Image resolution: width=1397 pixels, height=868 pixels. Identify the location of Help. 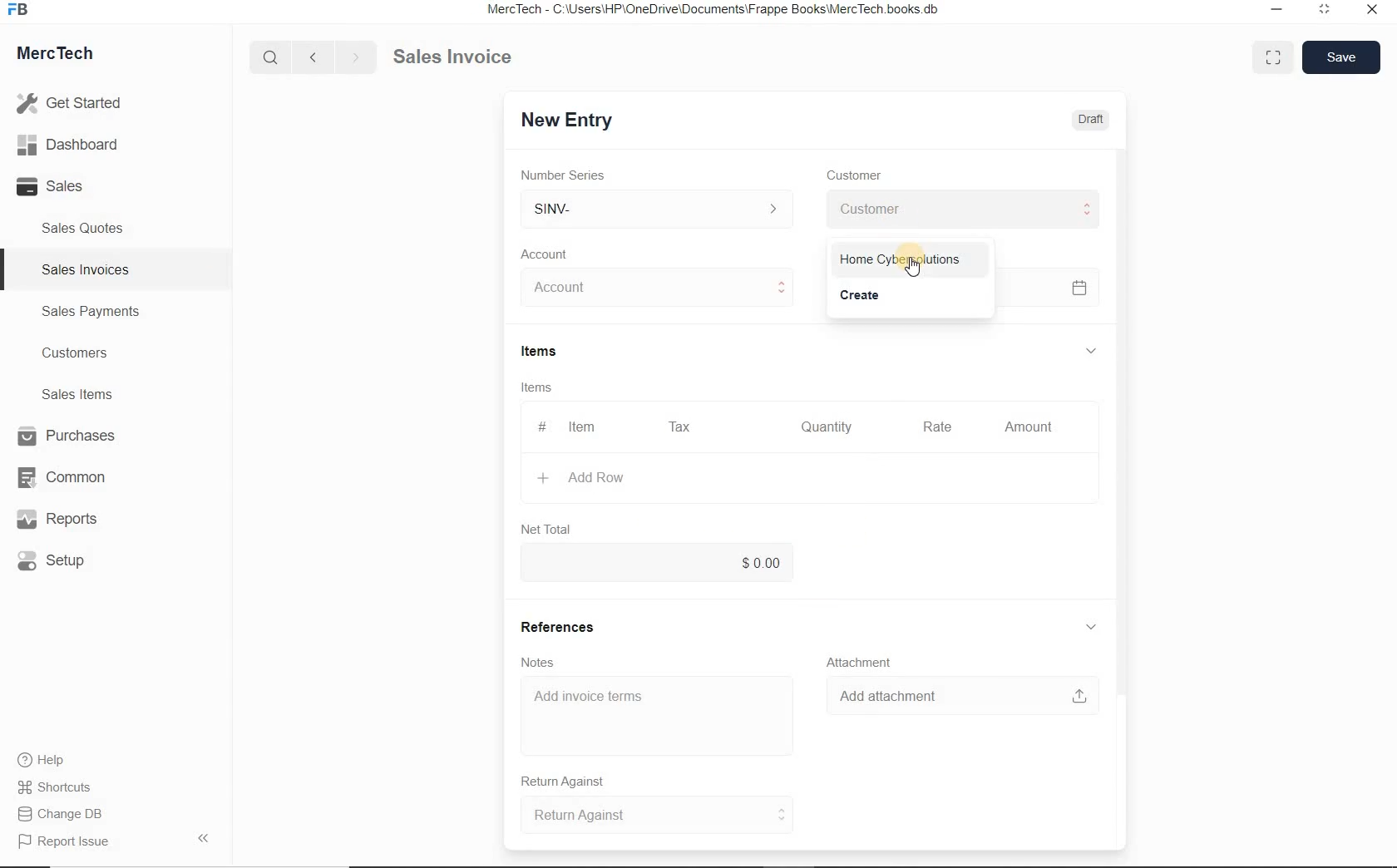
(50, 760).